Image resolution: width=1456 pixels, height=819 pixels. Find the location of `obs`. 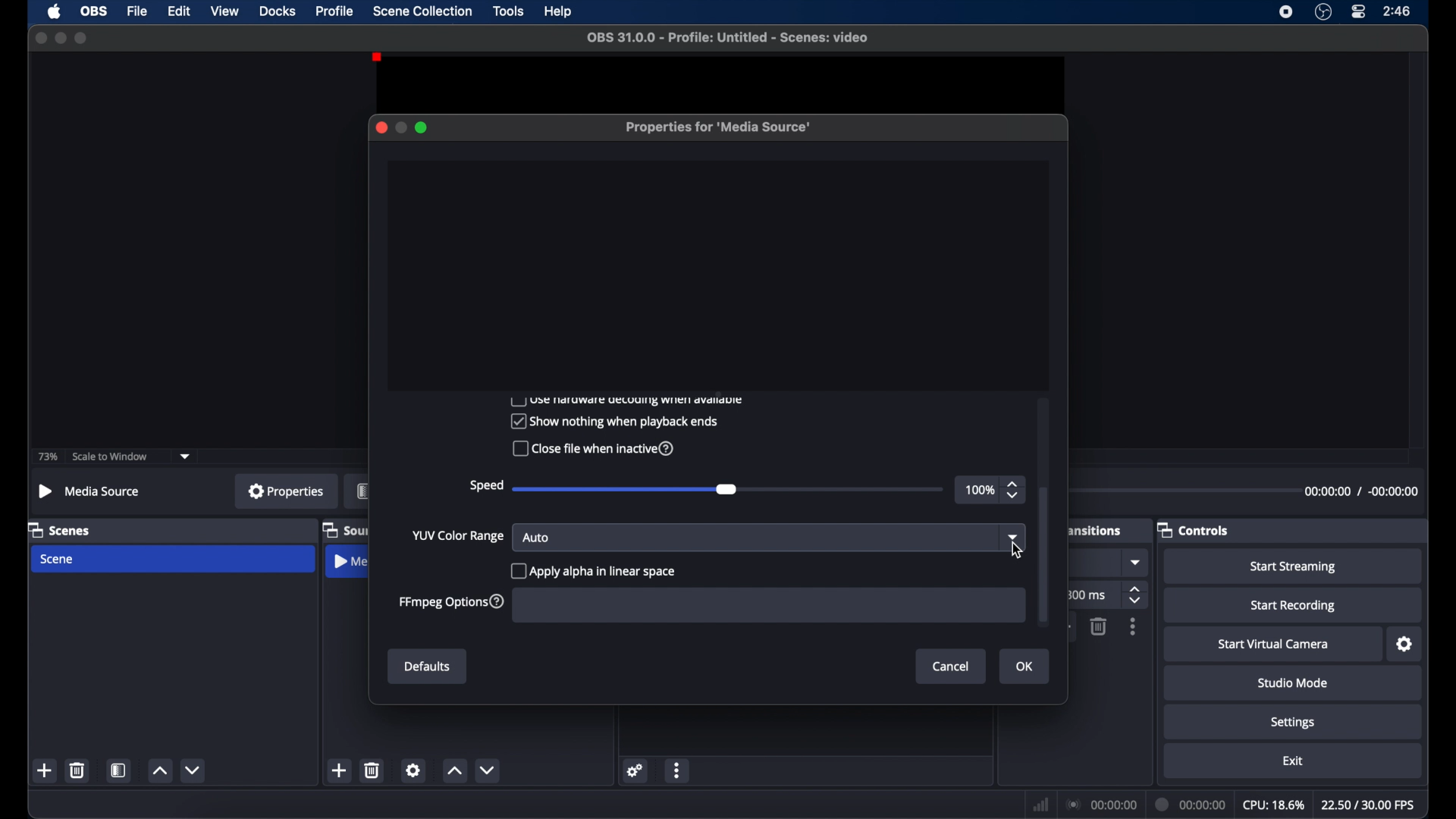

obs is located at coordinates (94, 11).